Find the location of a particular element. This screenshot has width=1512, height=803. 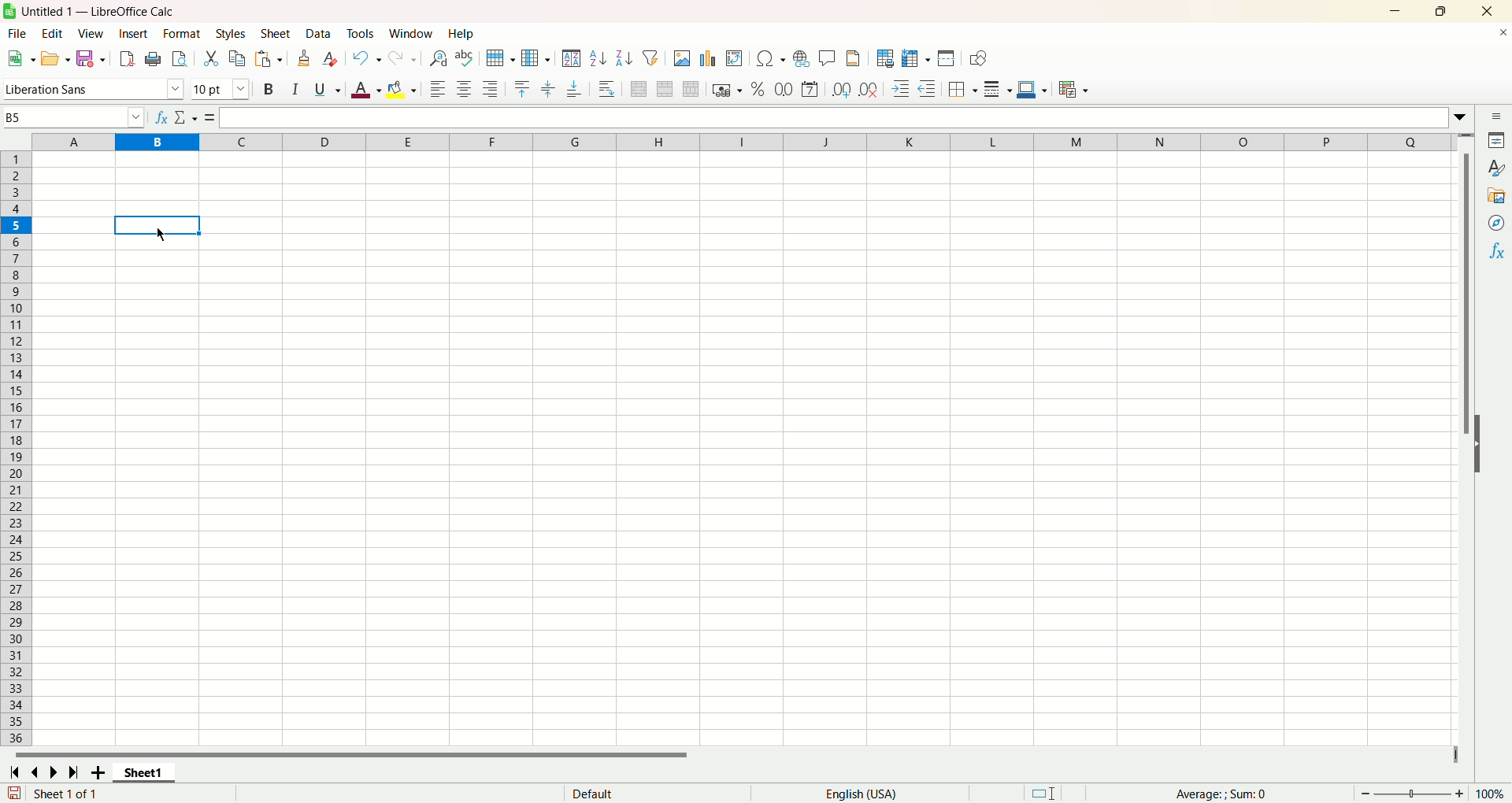

paste is located at coordinates (269, 59).